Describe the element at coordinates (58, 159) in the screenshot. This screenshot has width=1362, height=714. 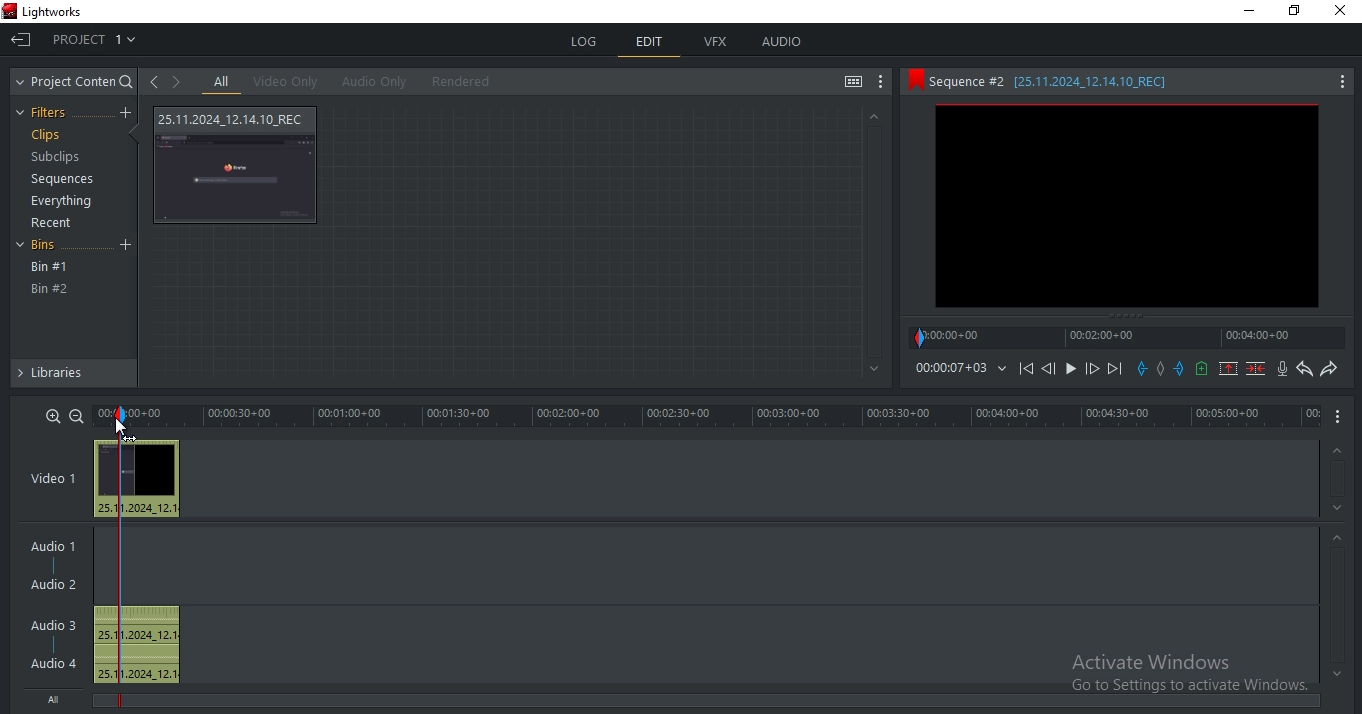
I see `subclips` at that location.